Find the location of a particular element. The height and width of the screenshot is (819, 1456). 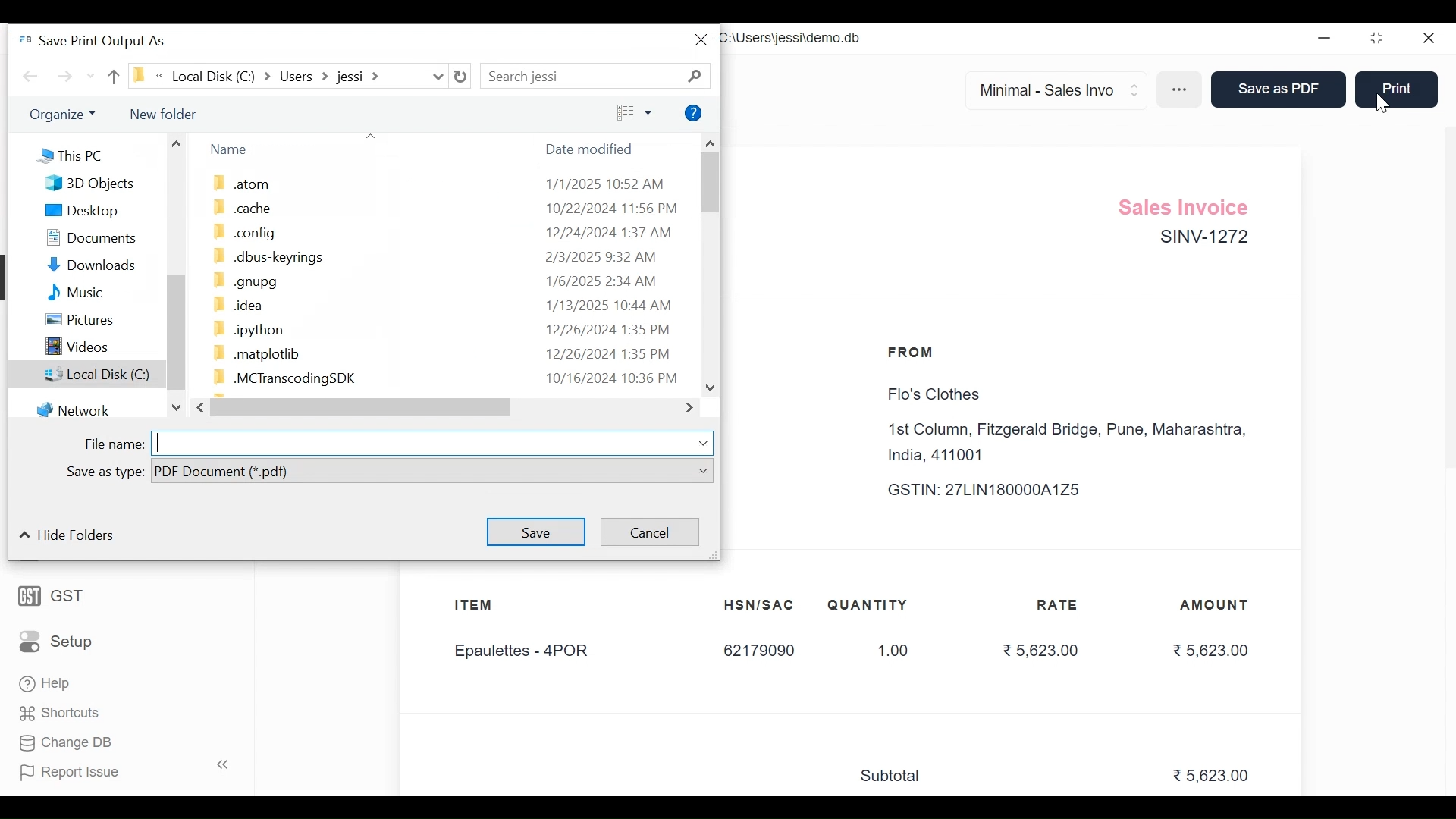

Save as type: is located at coordinates (105, 472).